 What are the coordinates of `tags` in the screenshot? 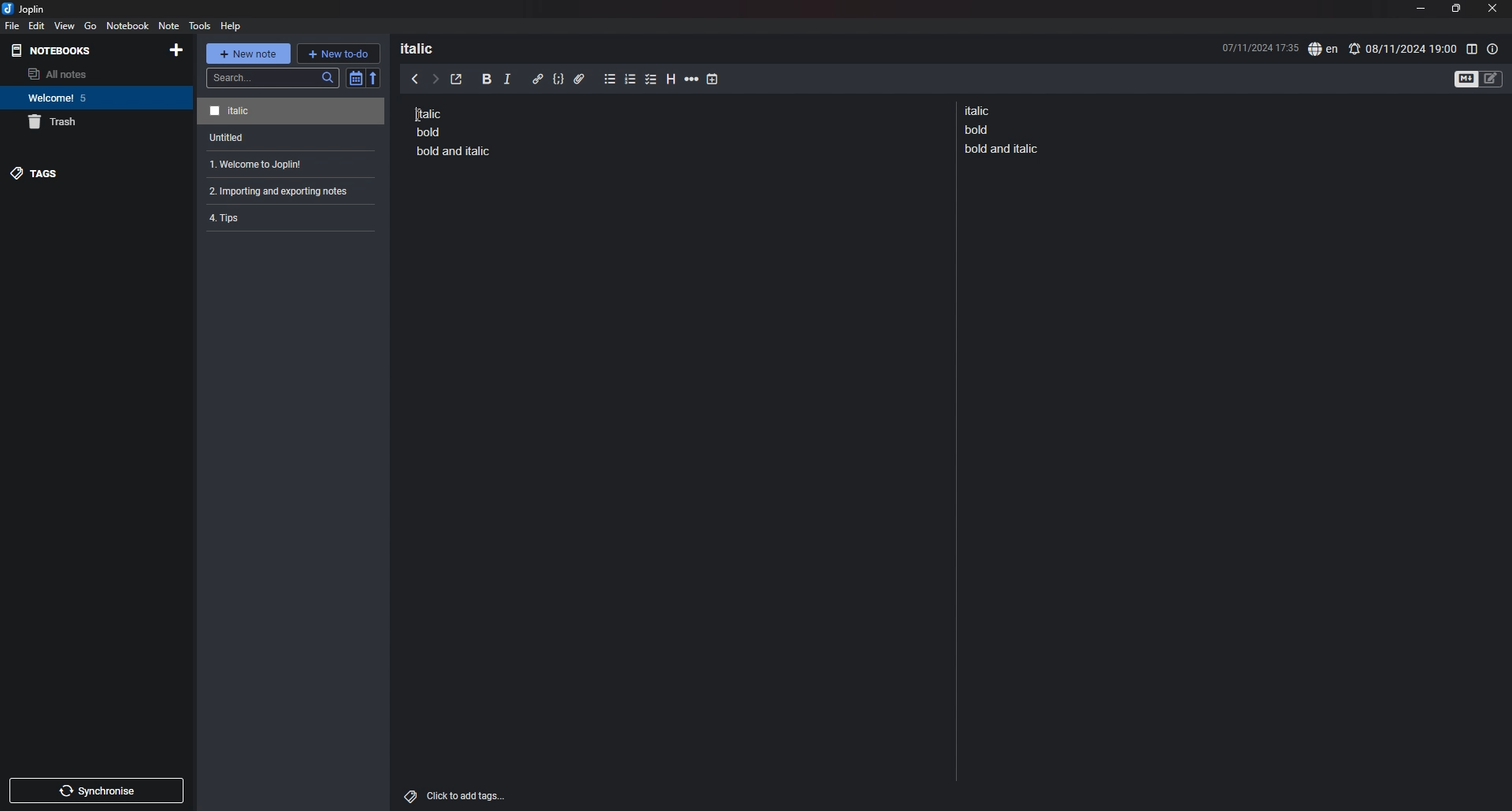 It's located at (95, 173).